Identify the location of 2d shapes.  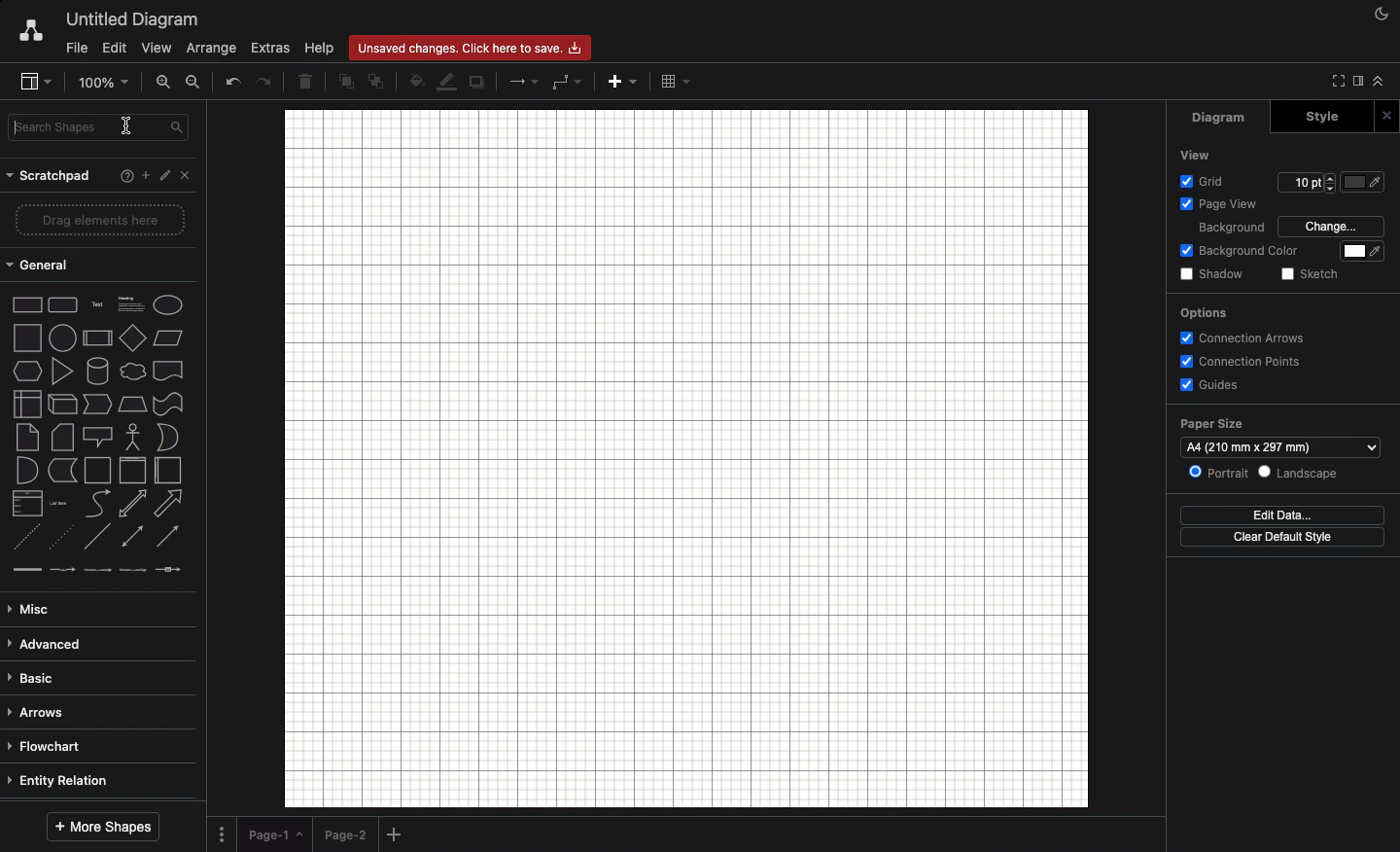
(99, 372).